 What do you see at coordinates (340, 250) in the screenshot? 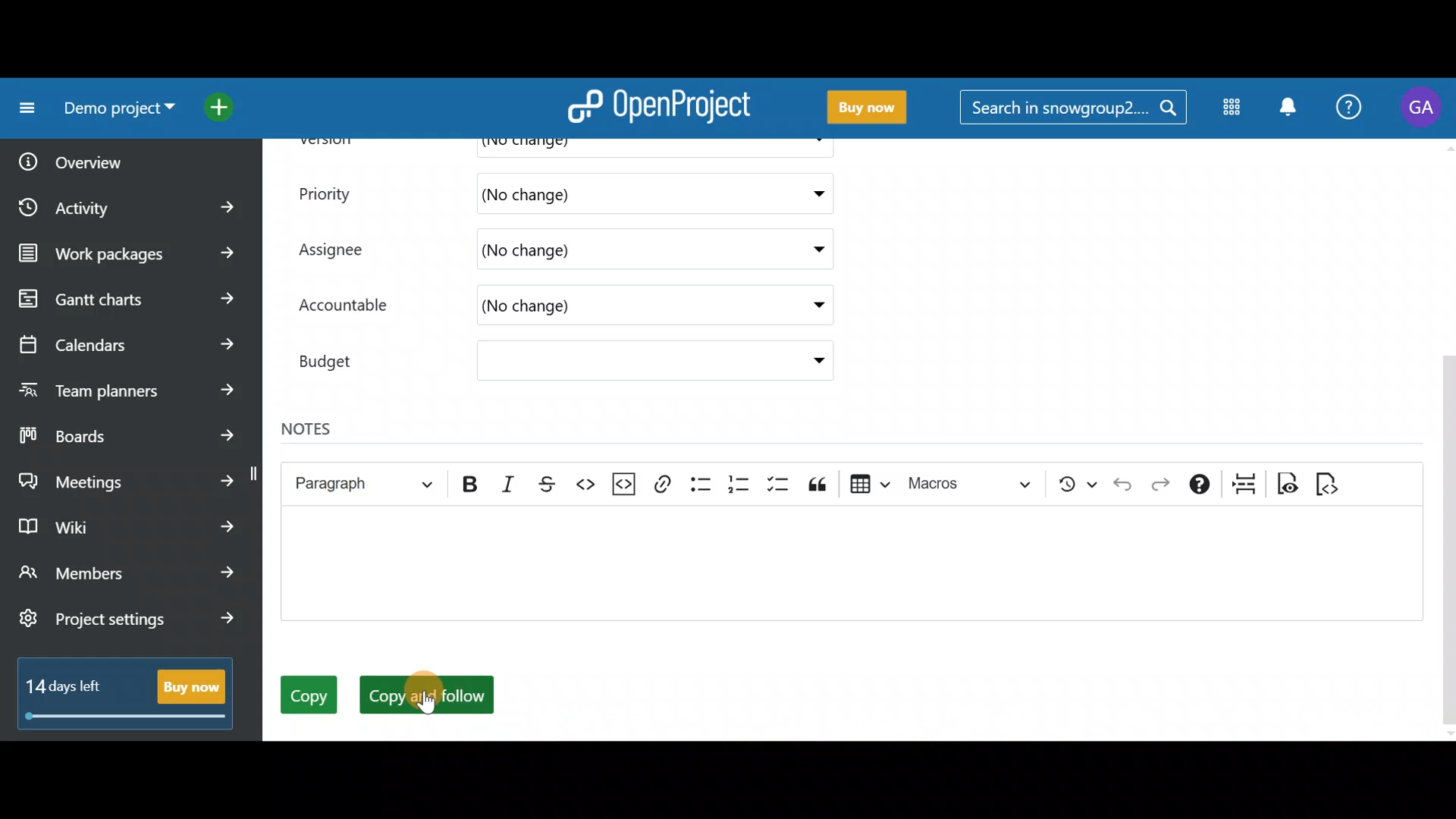
I see `Assignee` at bounding box center [340, 250].